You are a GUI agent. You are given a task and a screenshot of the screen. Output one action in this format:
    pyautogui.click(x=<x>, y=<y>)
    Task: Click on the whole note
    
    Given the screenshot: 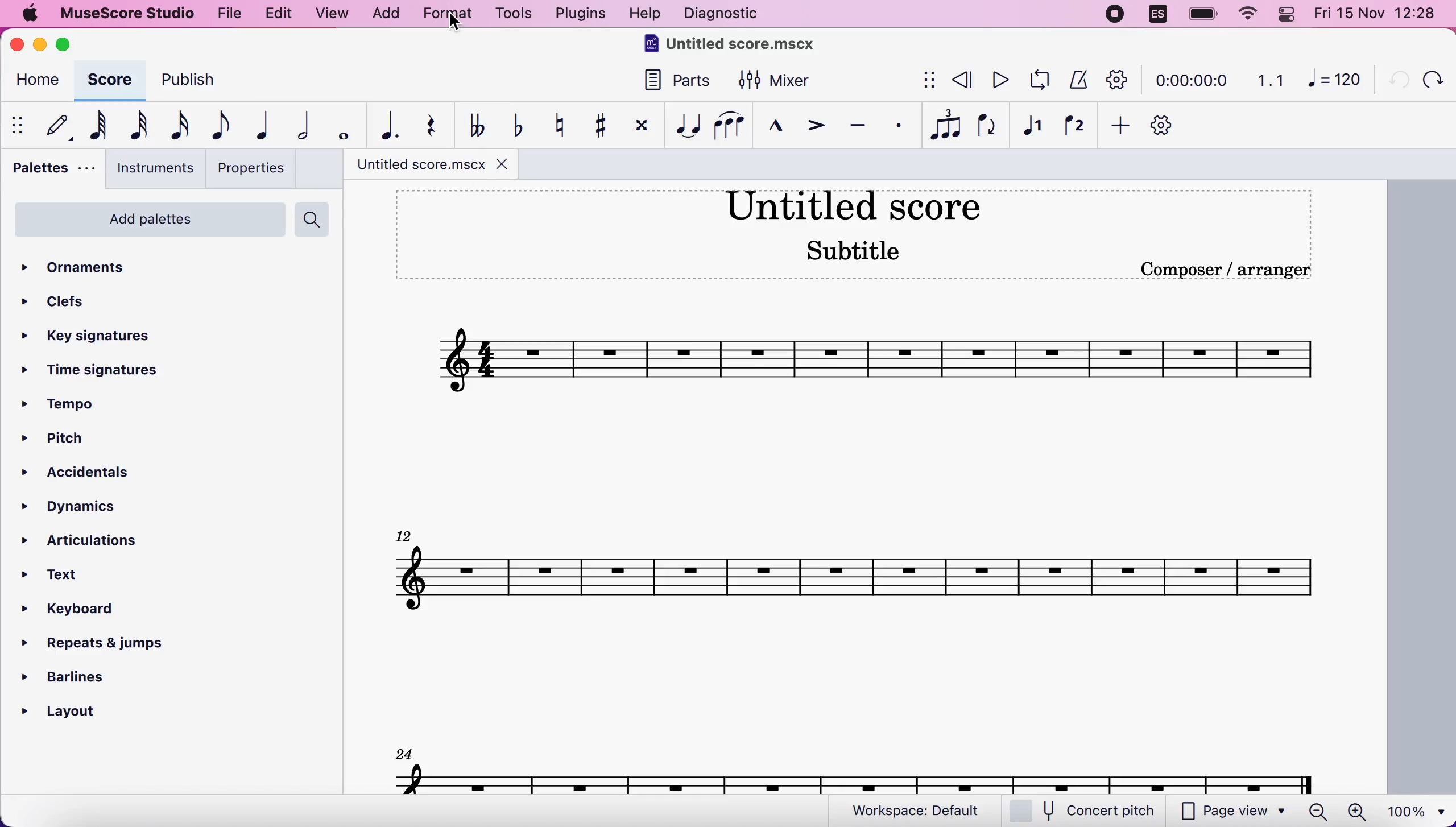 What is the action you would take?
    pyautogui.click(x=340, y=126)
    